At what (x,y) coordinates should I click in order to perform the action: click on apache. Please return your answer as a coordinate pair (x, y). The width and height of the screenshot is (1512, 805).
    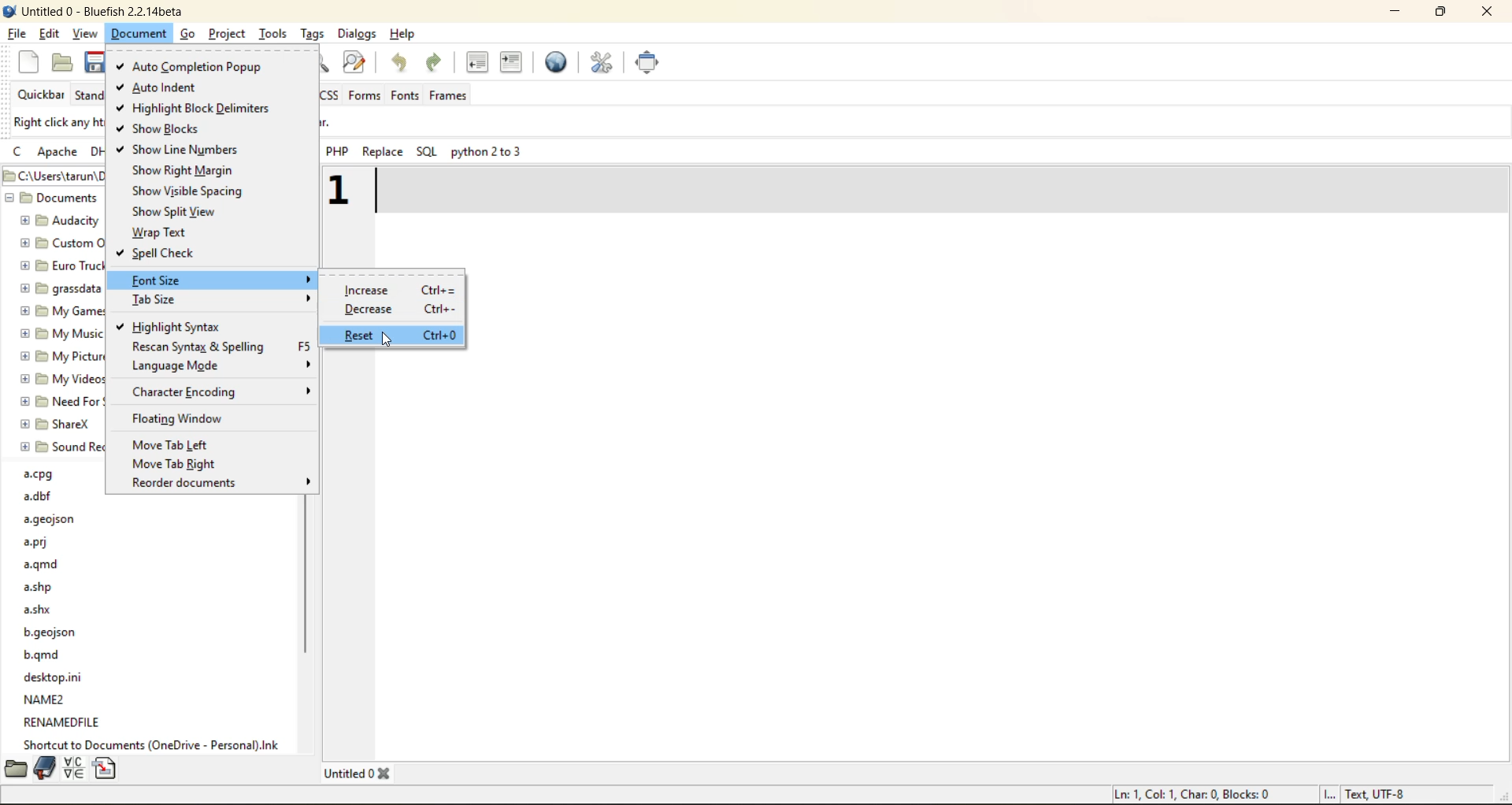
    Looking at the image, I should click on (60, 152).